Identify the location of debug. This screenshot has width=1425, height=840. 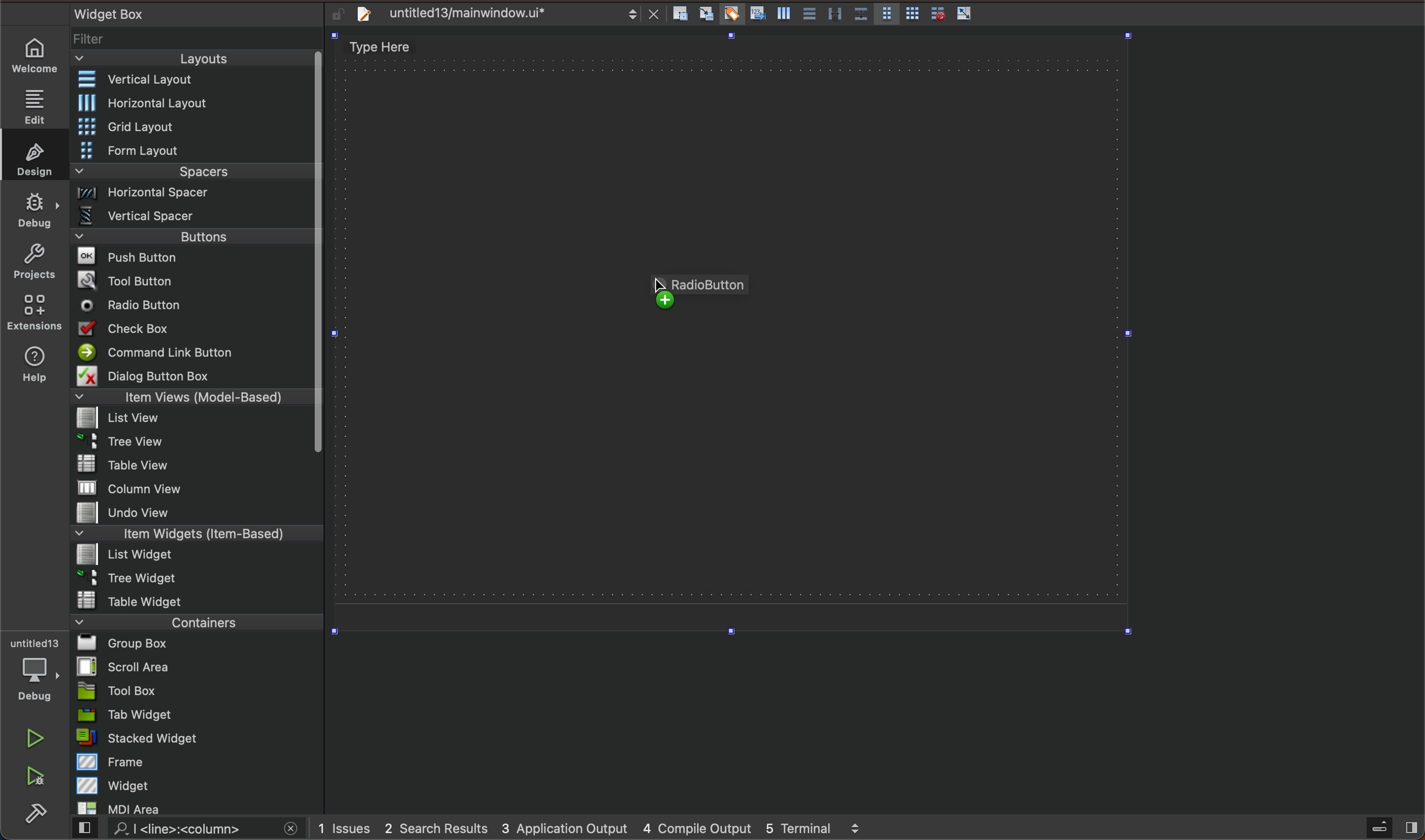
(41, 671).